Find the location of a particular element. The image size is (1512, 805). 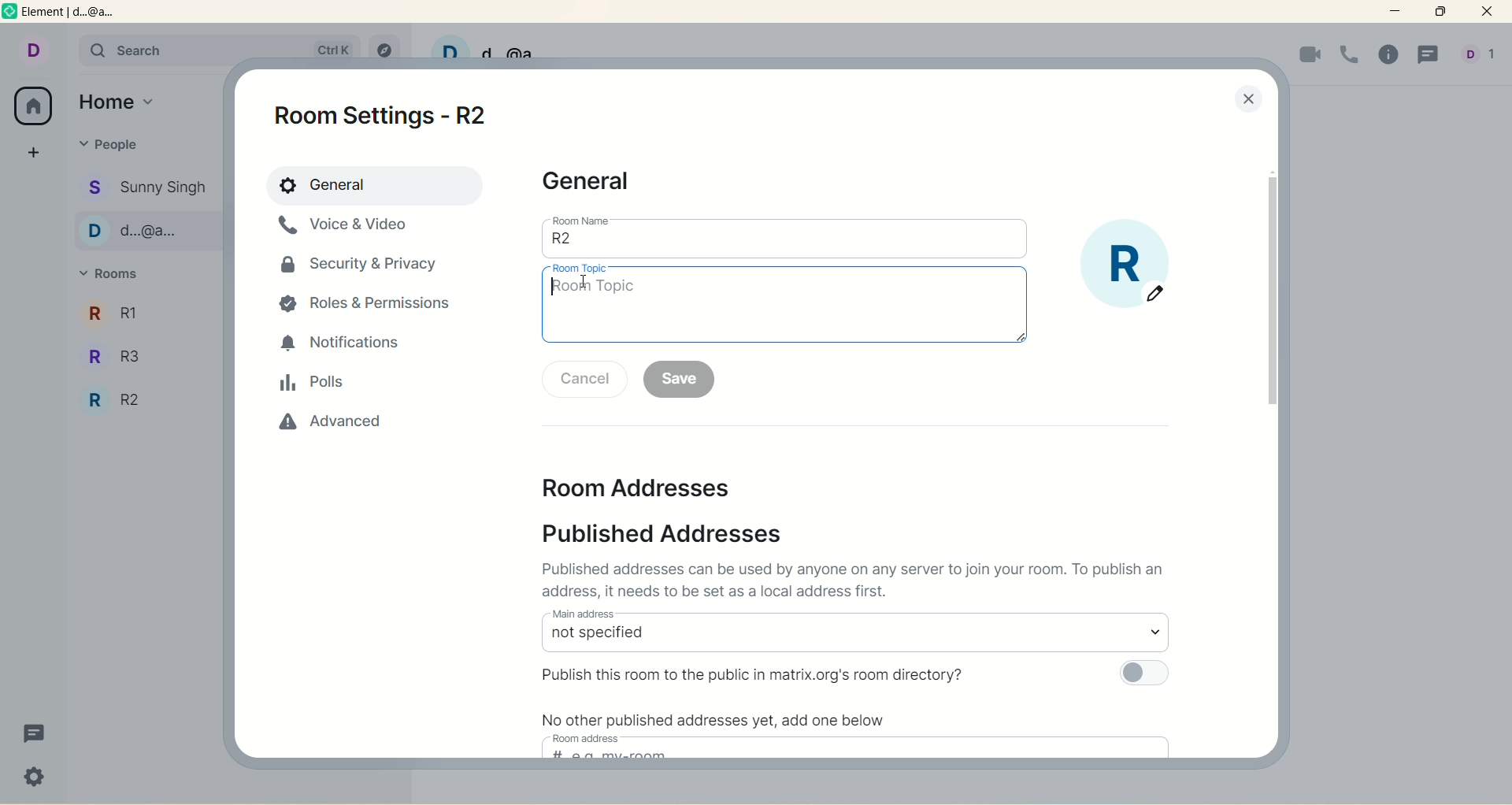

general is located at coordinates (372, 185).